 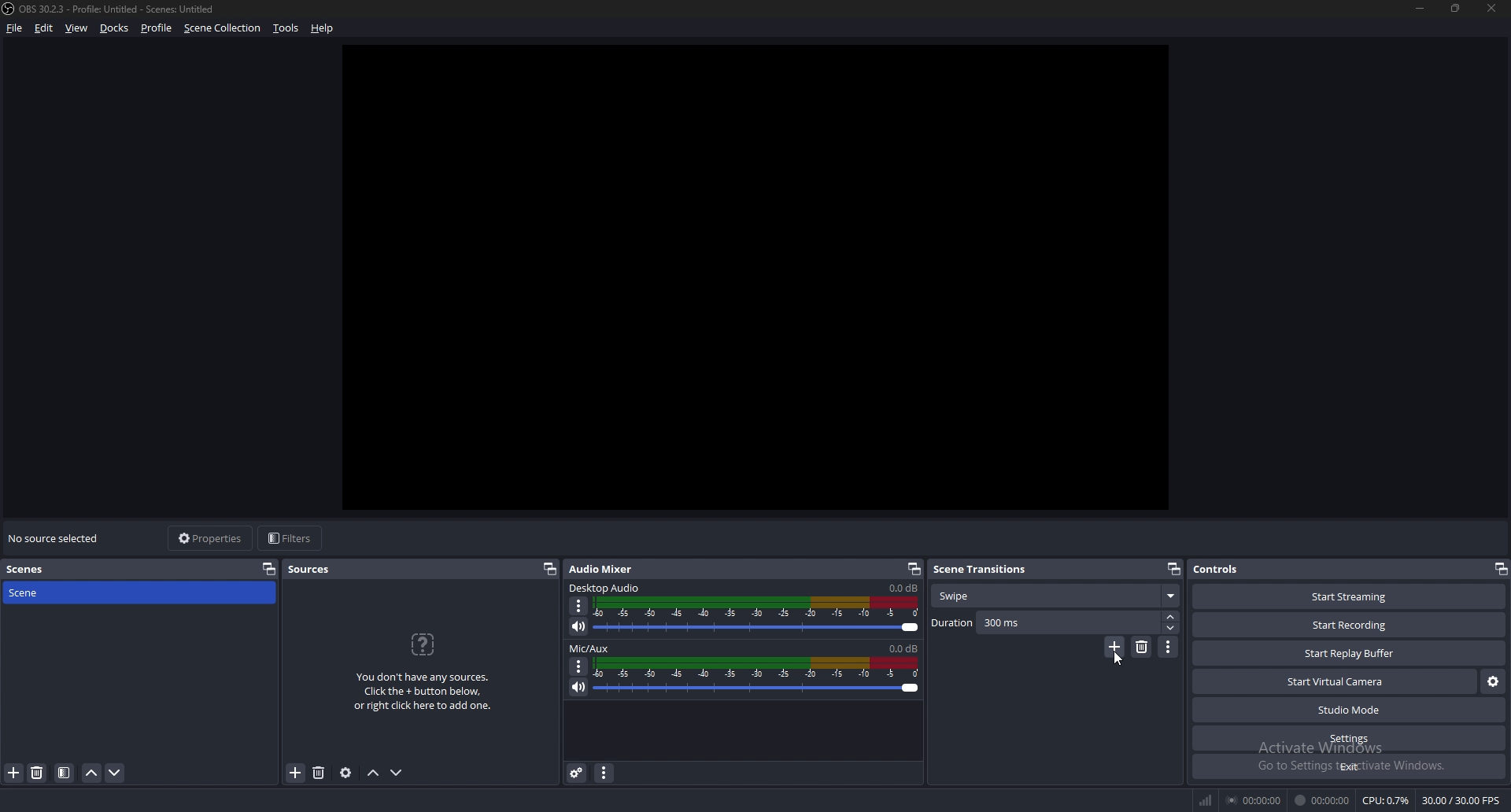 I want to click on transition, so click(x=1056, y=595).